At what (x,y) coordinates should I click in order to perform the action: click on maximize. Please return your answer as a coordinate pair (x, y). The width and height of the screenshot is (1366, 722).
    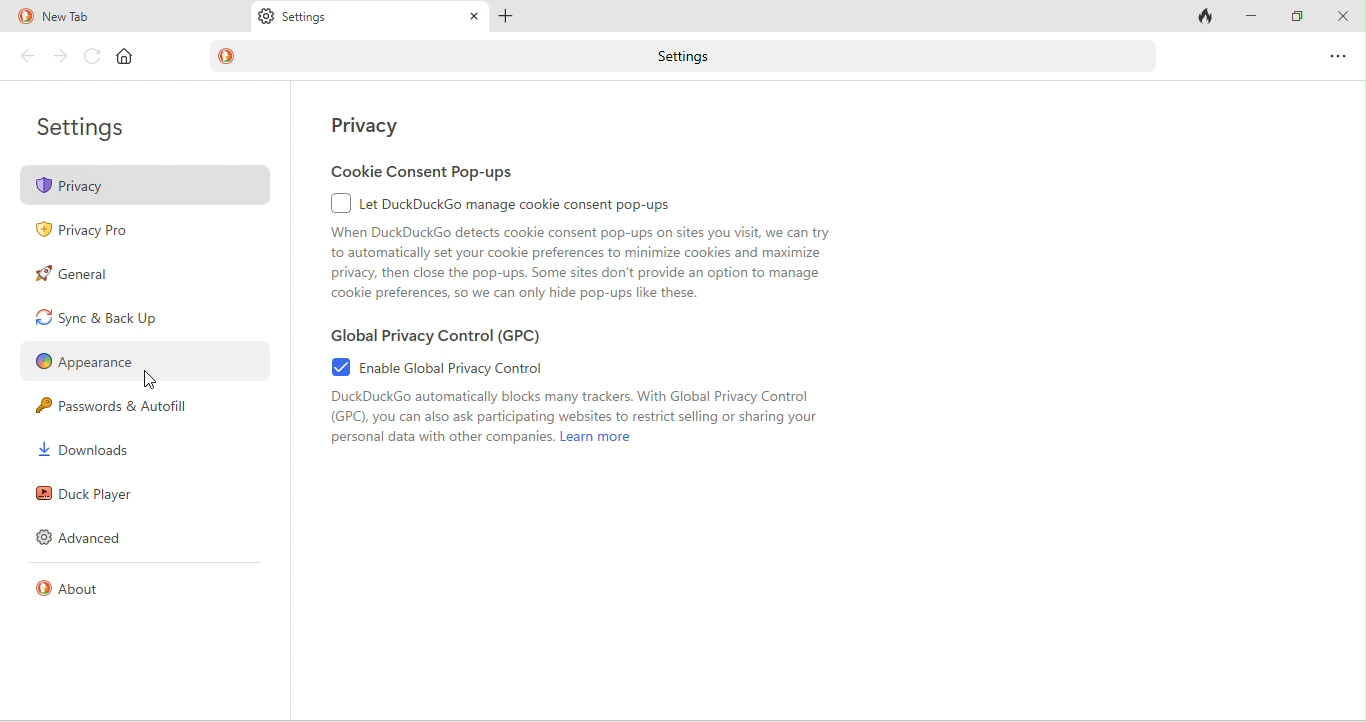
    Looking at the image, I should click on (1296, 16).